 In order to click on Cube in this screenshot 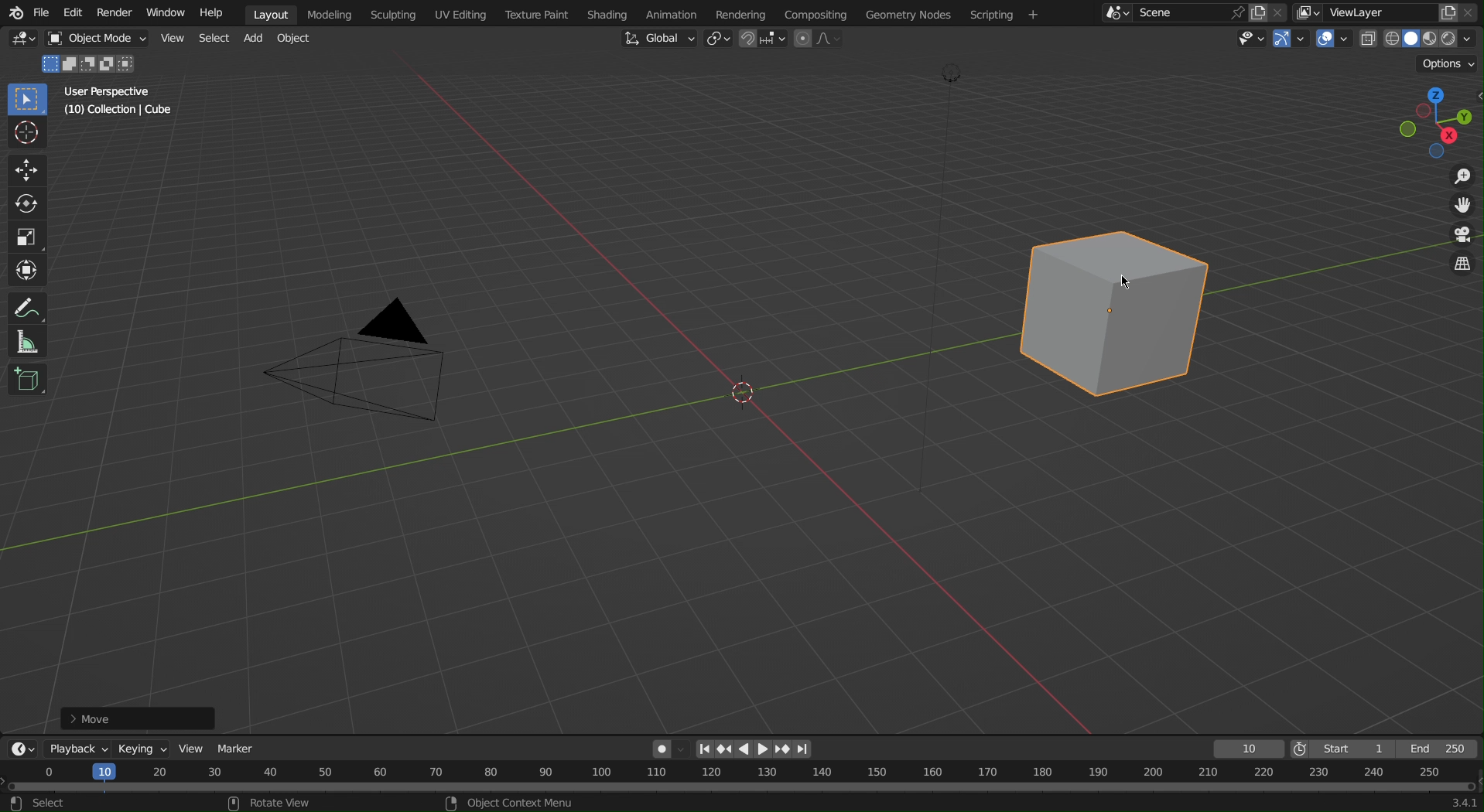, I will do `click(1123, 312)`.